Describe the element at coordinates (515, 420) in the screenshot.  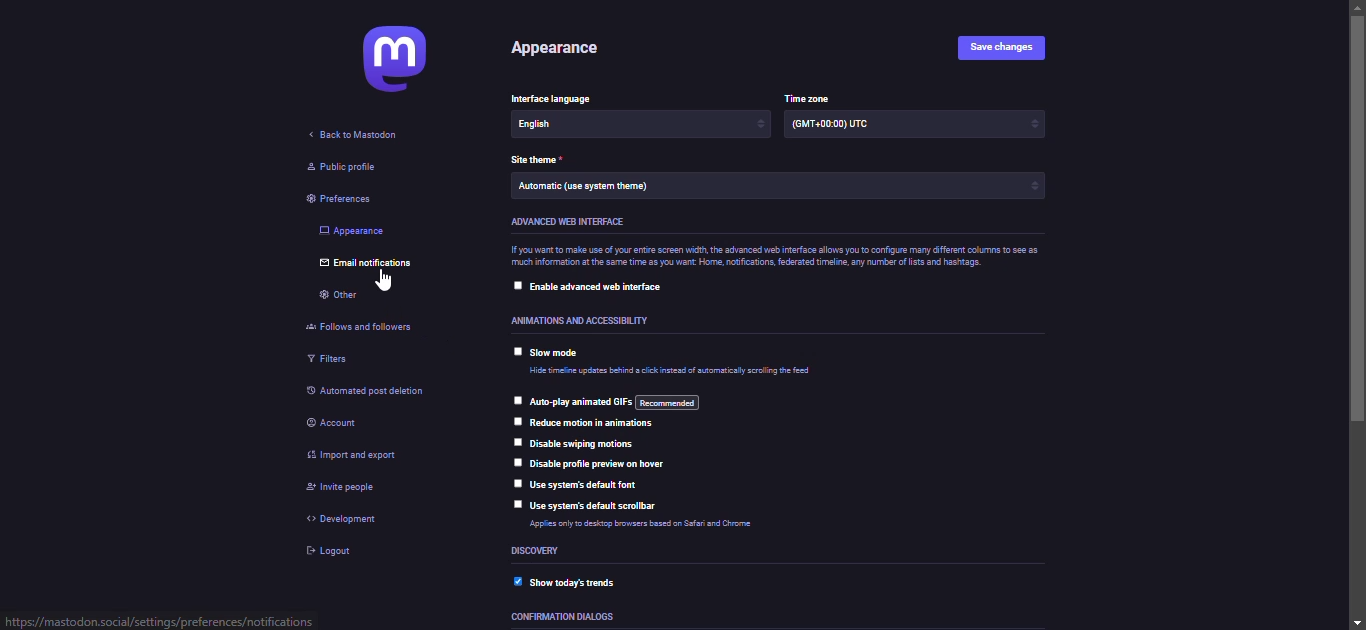
I see `click to select` at that location.